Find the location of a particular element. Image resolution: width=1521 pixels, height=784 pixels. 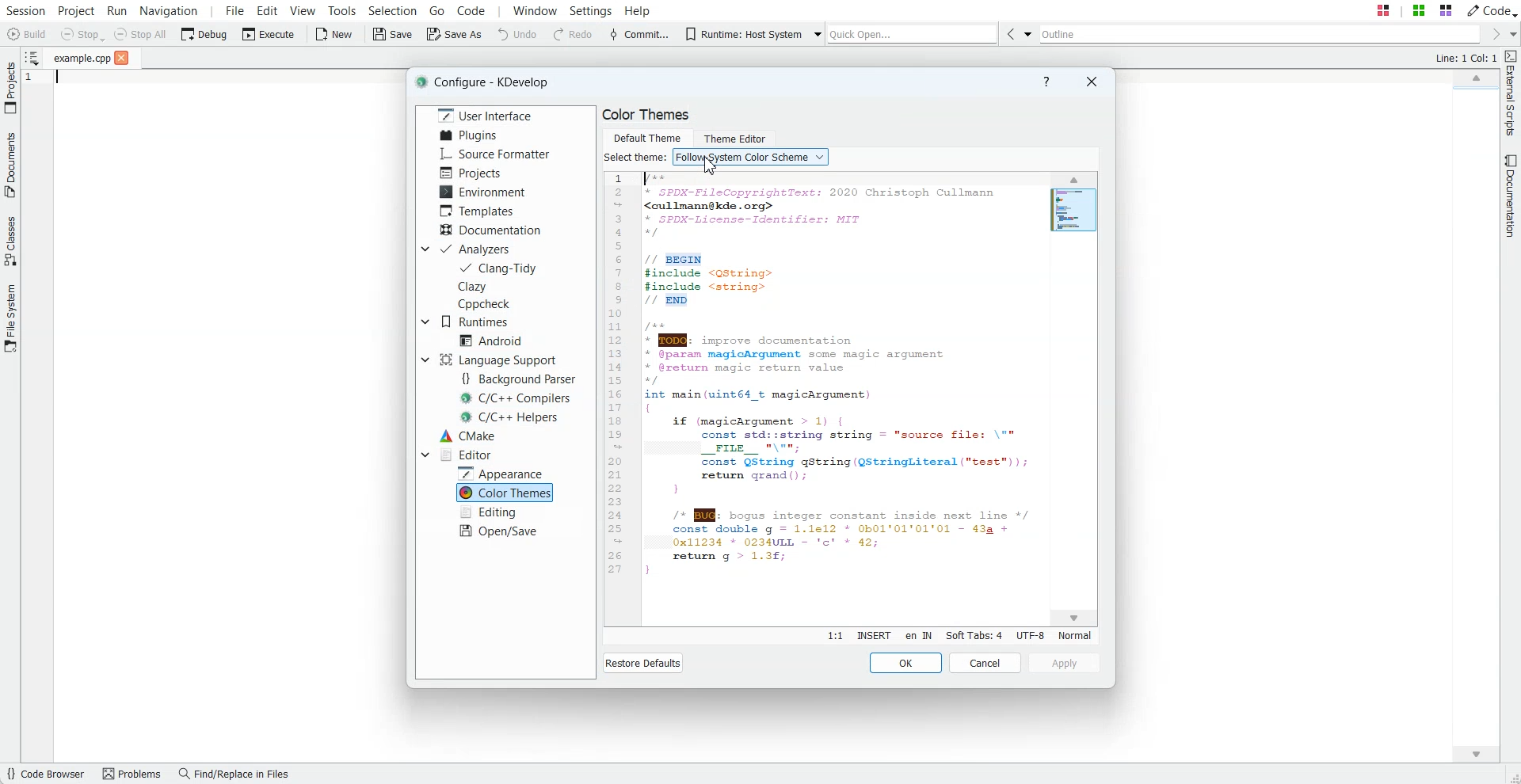

Drop down box is located at coordinates (425, 360).